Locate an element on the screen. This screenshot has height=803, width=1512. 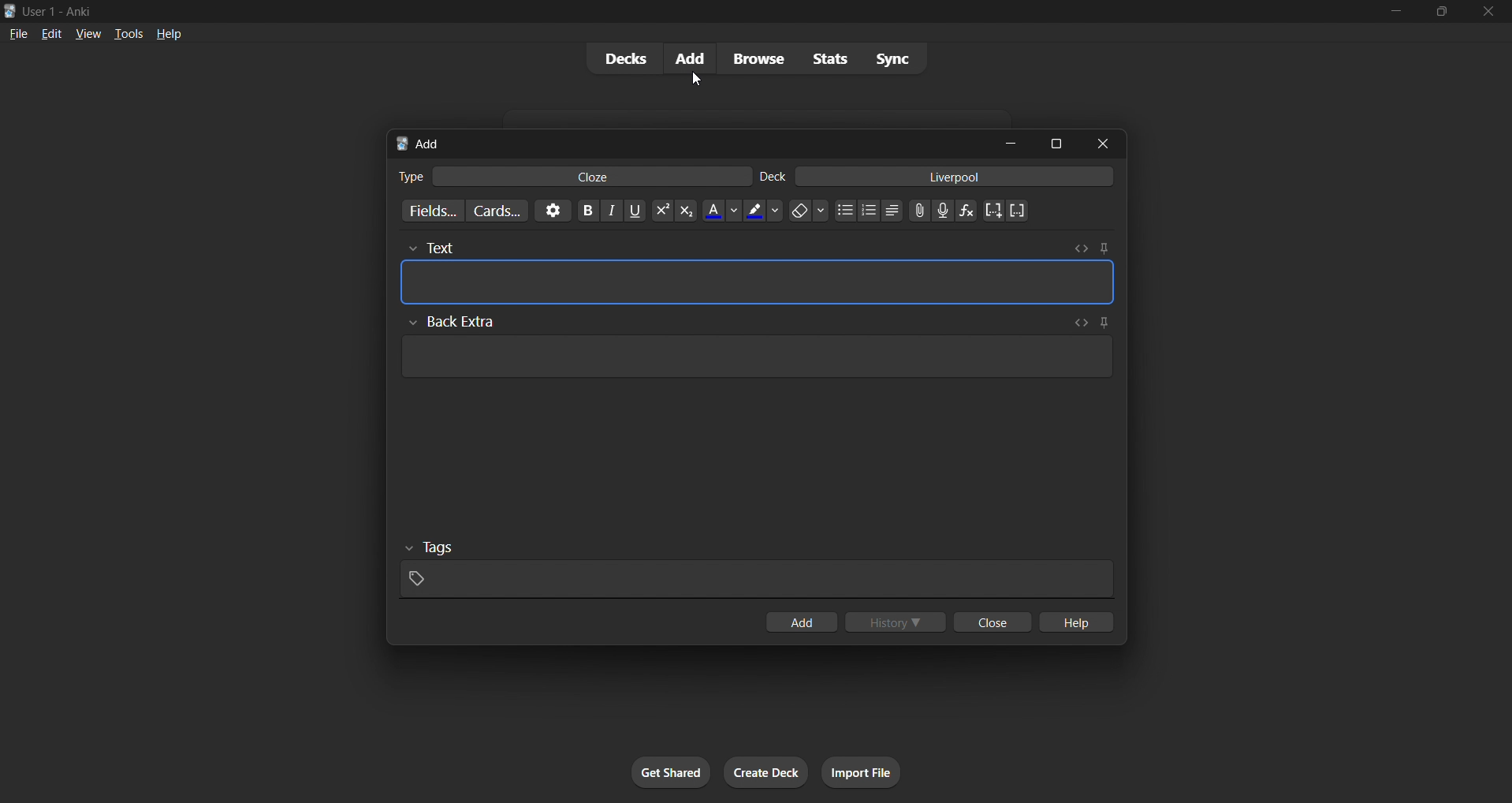
text color is located at coordinates (727, 213).